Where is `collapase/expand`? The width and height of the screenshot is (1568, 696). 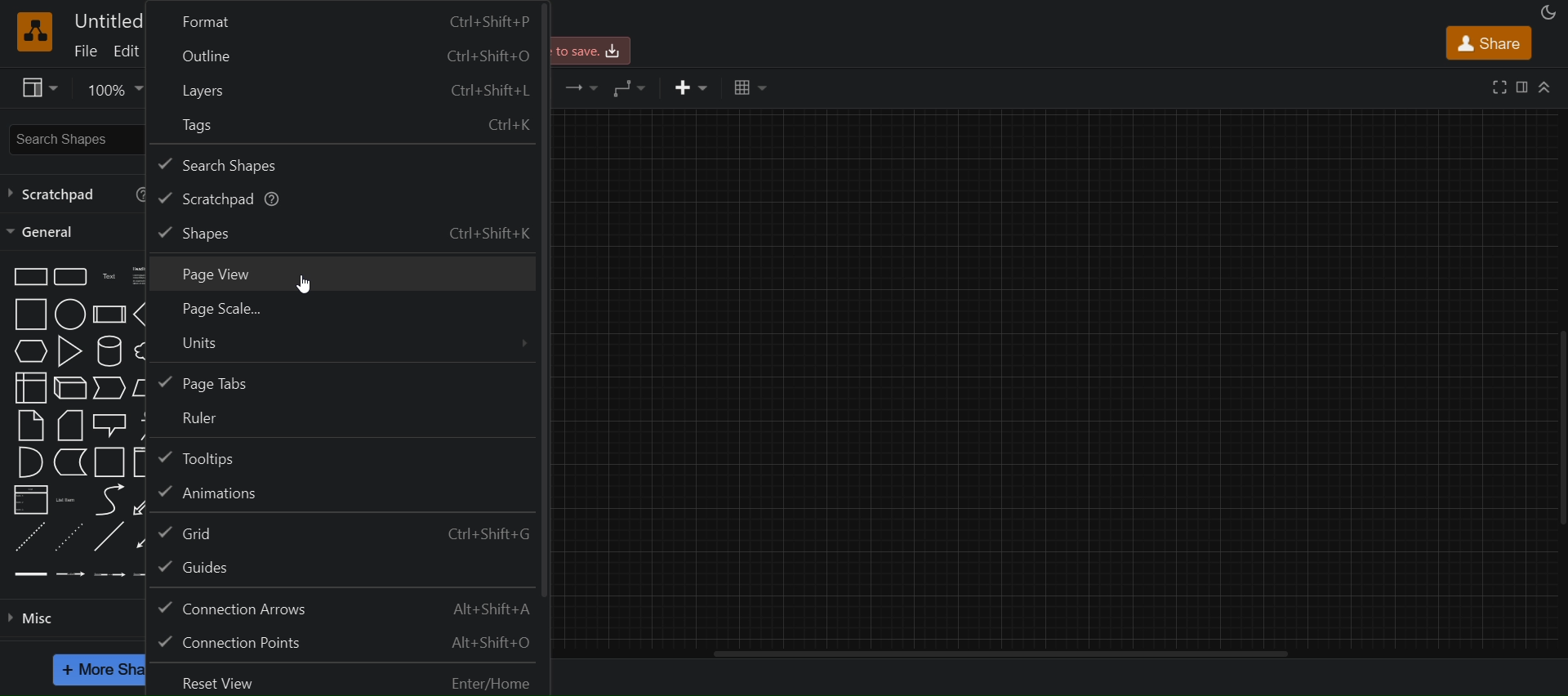 collapase/expand is located at coordinates (1545, 86).